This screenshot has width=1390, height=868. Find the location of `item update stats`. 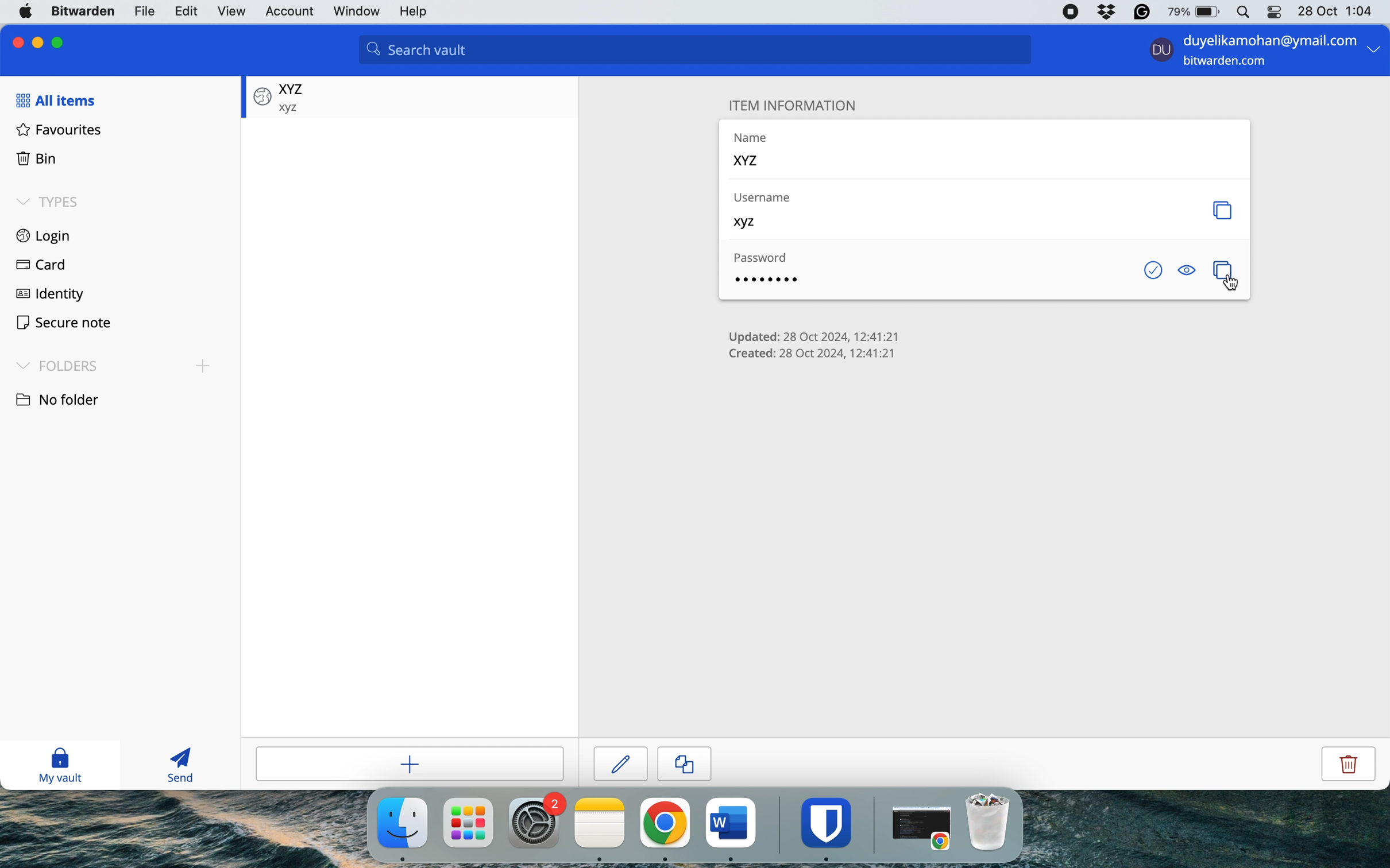

item update stats is located at coordinates (814, 334).